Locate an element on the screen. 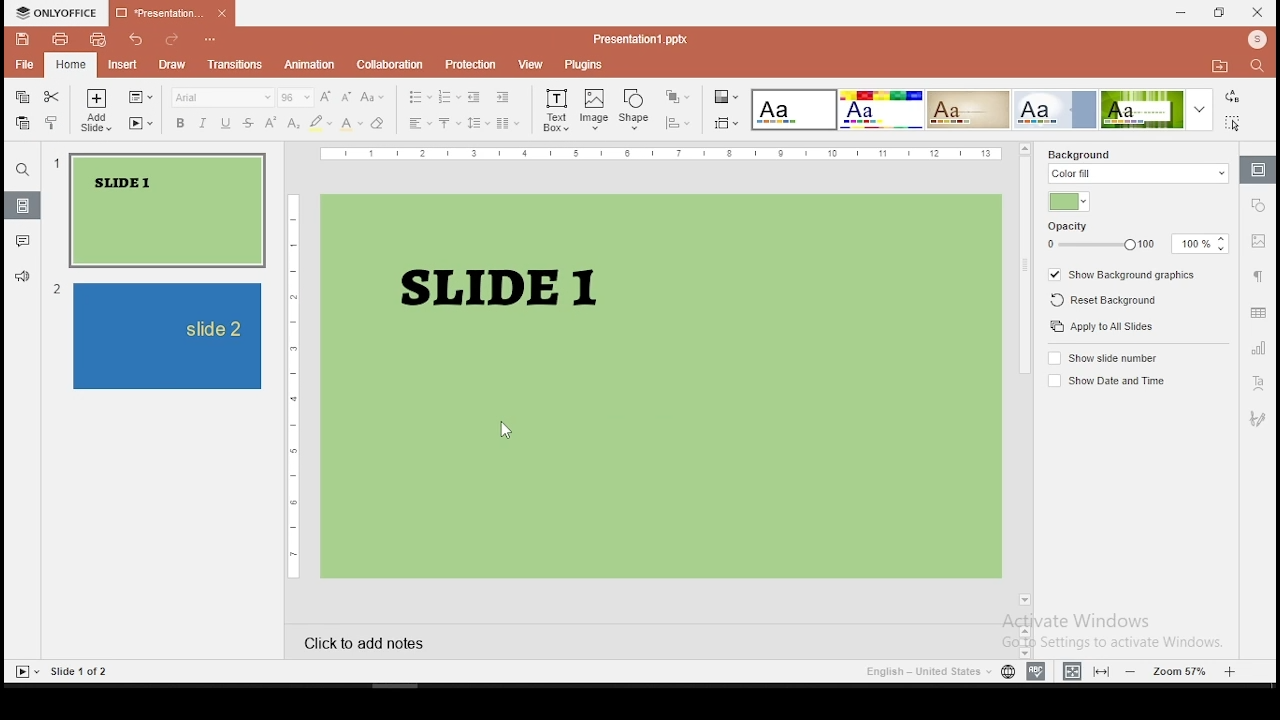 The height and width of the screenshot is (720, 1280). icon and menu is located at coordinates (56, 12).